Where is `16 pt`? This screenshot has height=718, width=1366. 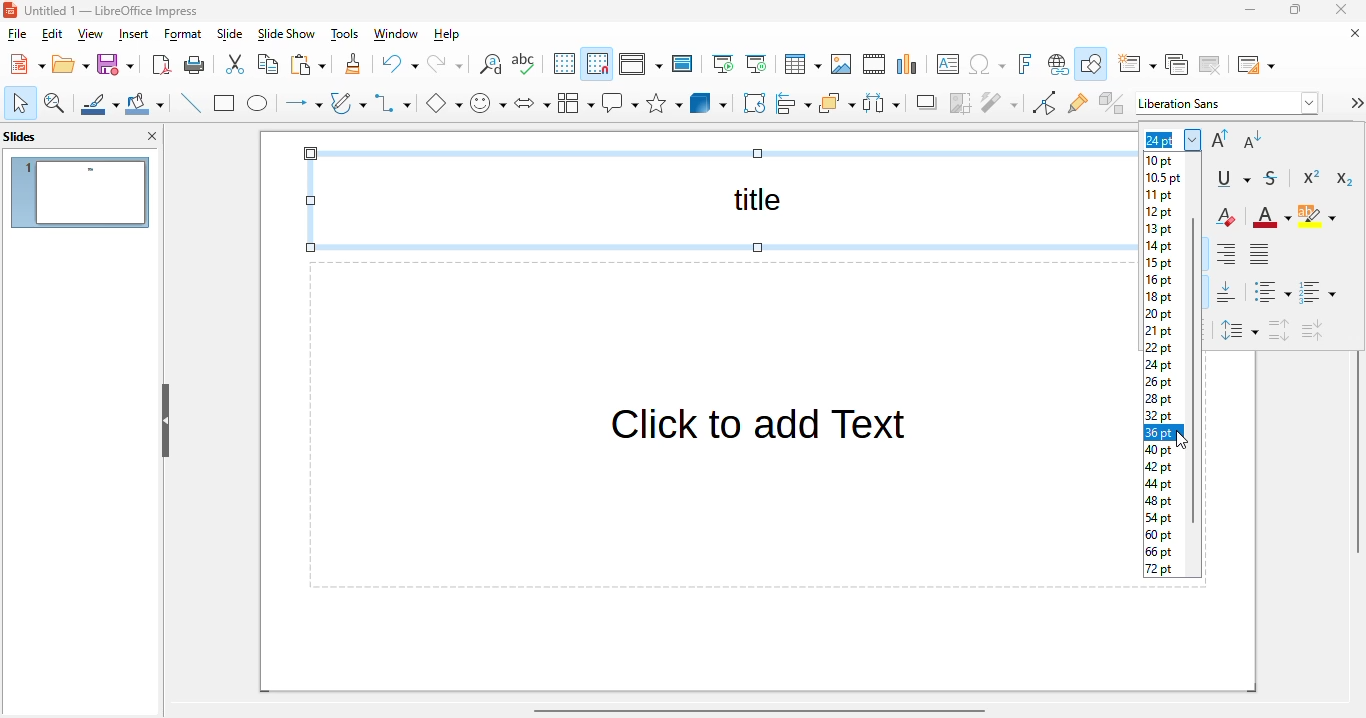 16 pt is located at coordinates (1159, 281).